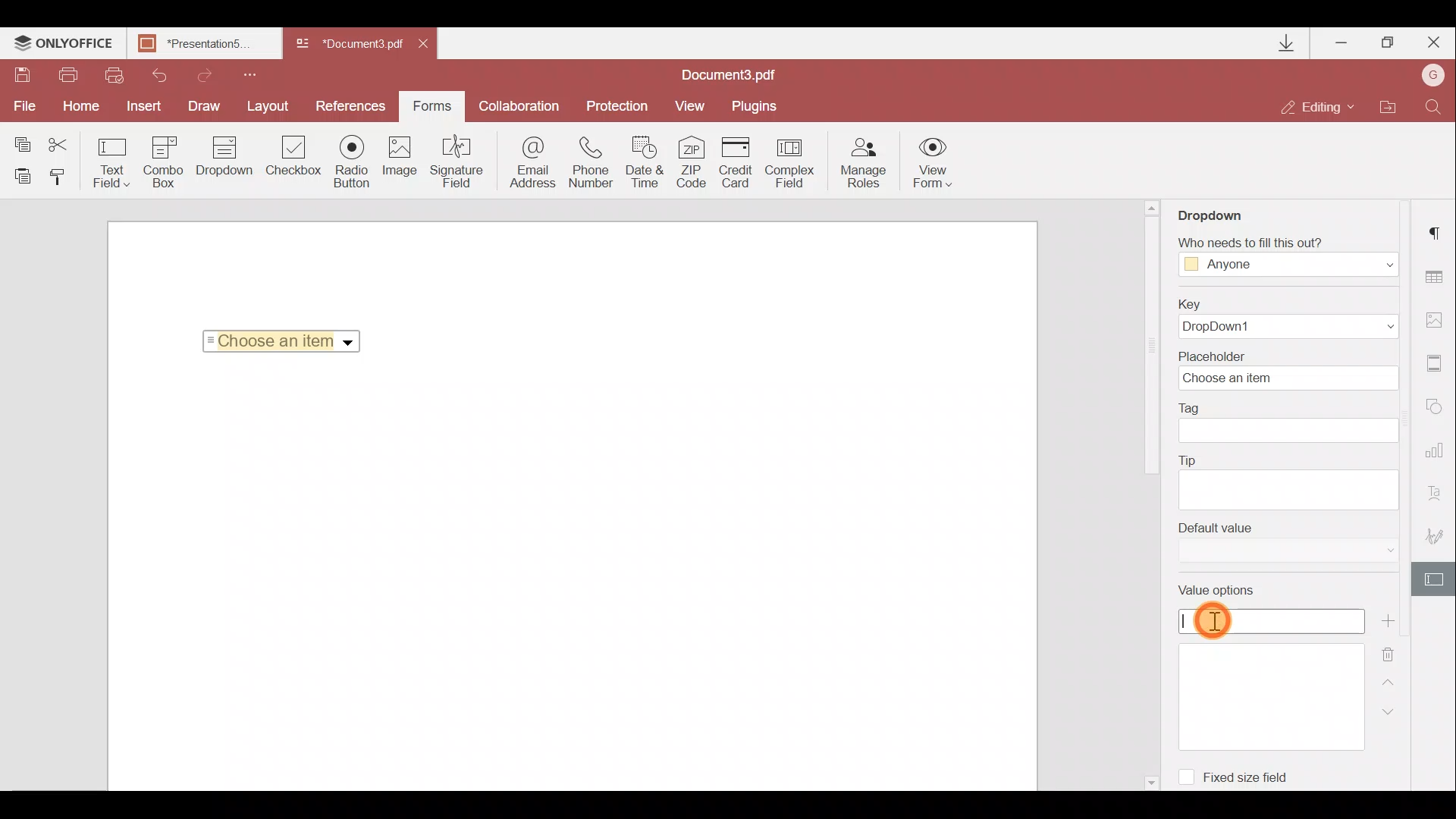 This screenshot has width=1456, height=819. What do you see at coordinates (1288, 542) in the screenshot?
I see `Default value` at bounding box center [1288, 542].